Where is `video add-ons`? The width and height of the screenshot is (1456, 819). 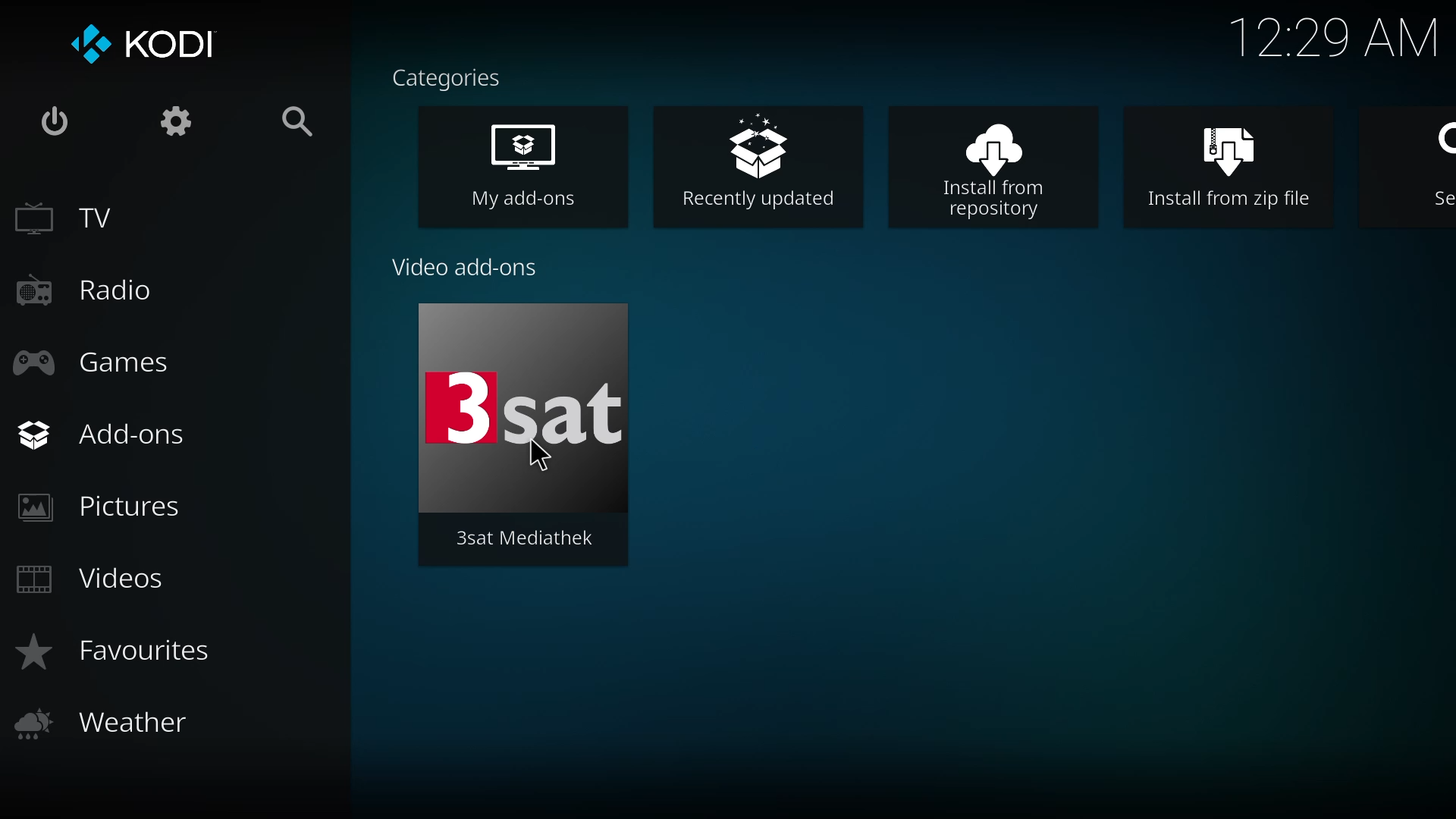 video add-ons is located at coordinates (464, 268).